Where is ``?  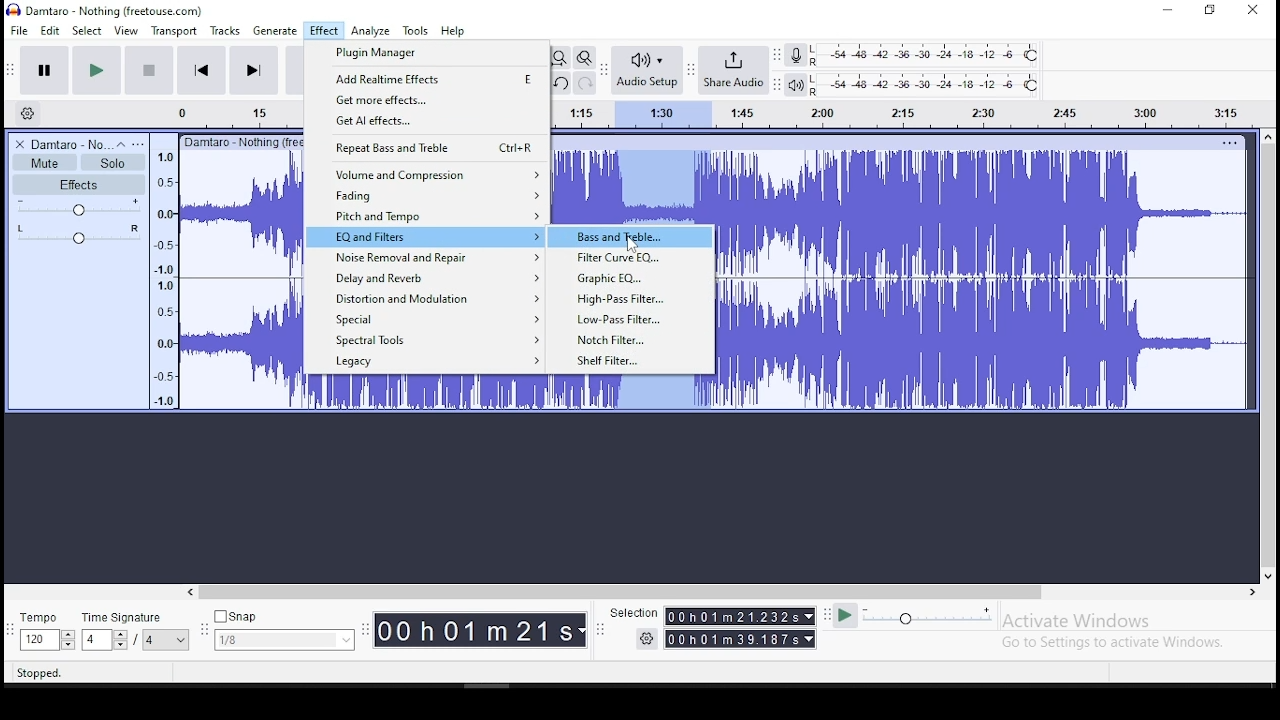
 is located at coordinates (690, 70).